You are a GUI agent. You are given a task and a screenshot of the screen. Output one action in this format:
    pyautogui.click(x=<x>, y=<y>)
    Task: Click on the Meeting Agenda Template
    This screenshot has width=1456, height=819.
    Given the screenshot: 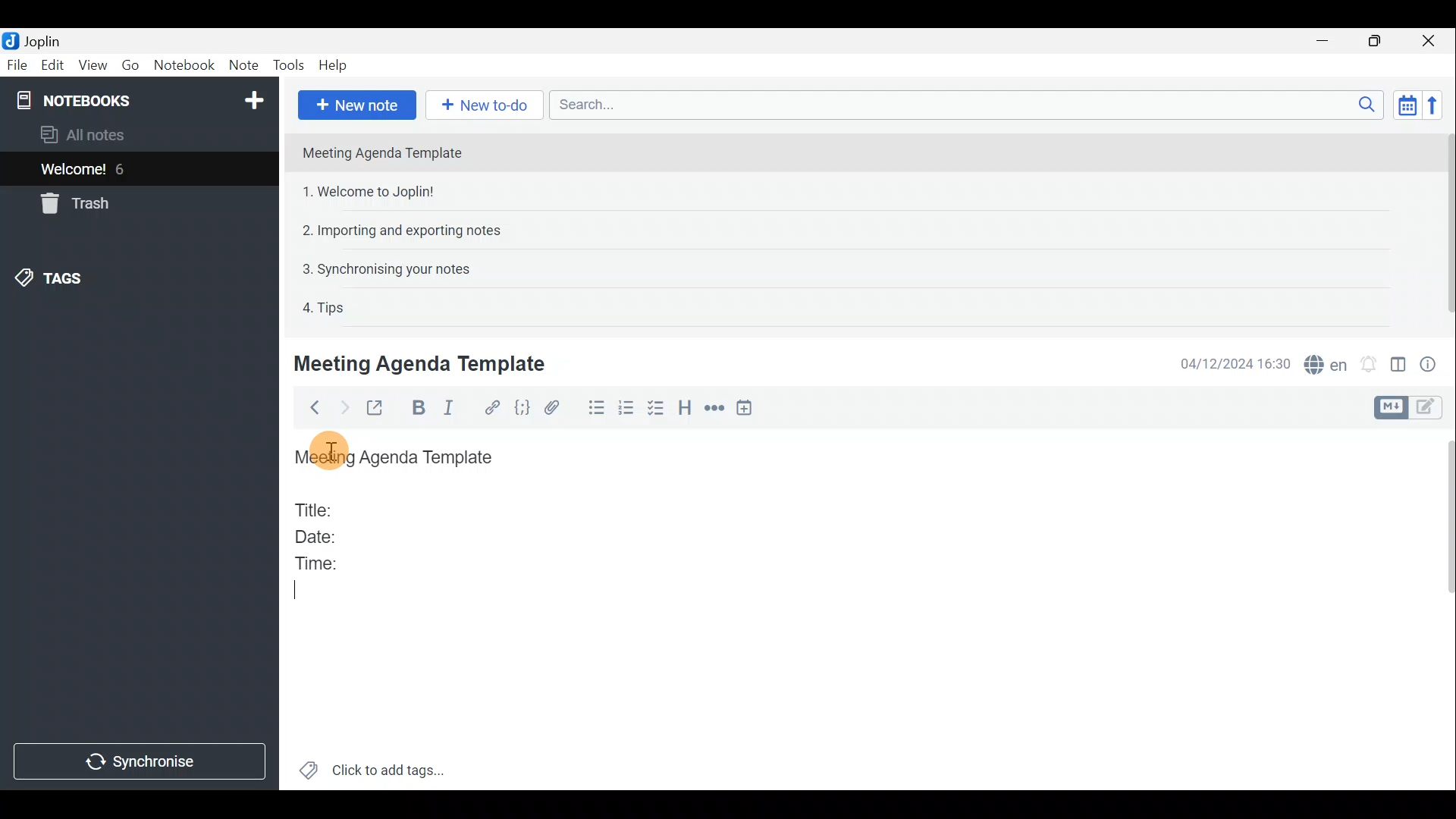 What is the action you would take?
    pyautogui.click(x=398, y=458)
    